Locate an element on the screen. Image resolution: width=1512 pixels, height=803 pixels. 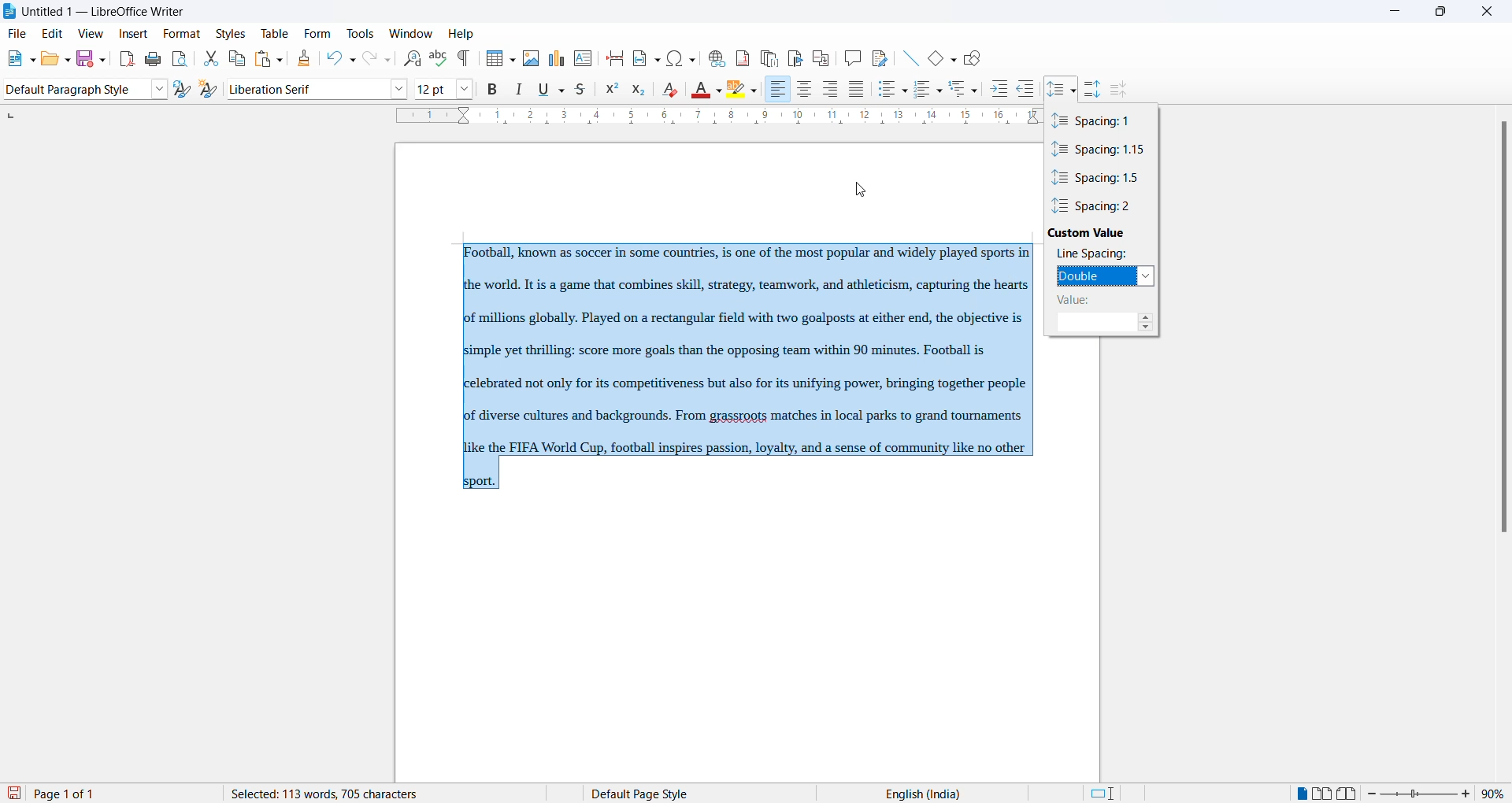
toggle unordered list is located at coordinates (886, 91).